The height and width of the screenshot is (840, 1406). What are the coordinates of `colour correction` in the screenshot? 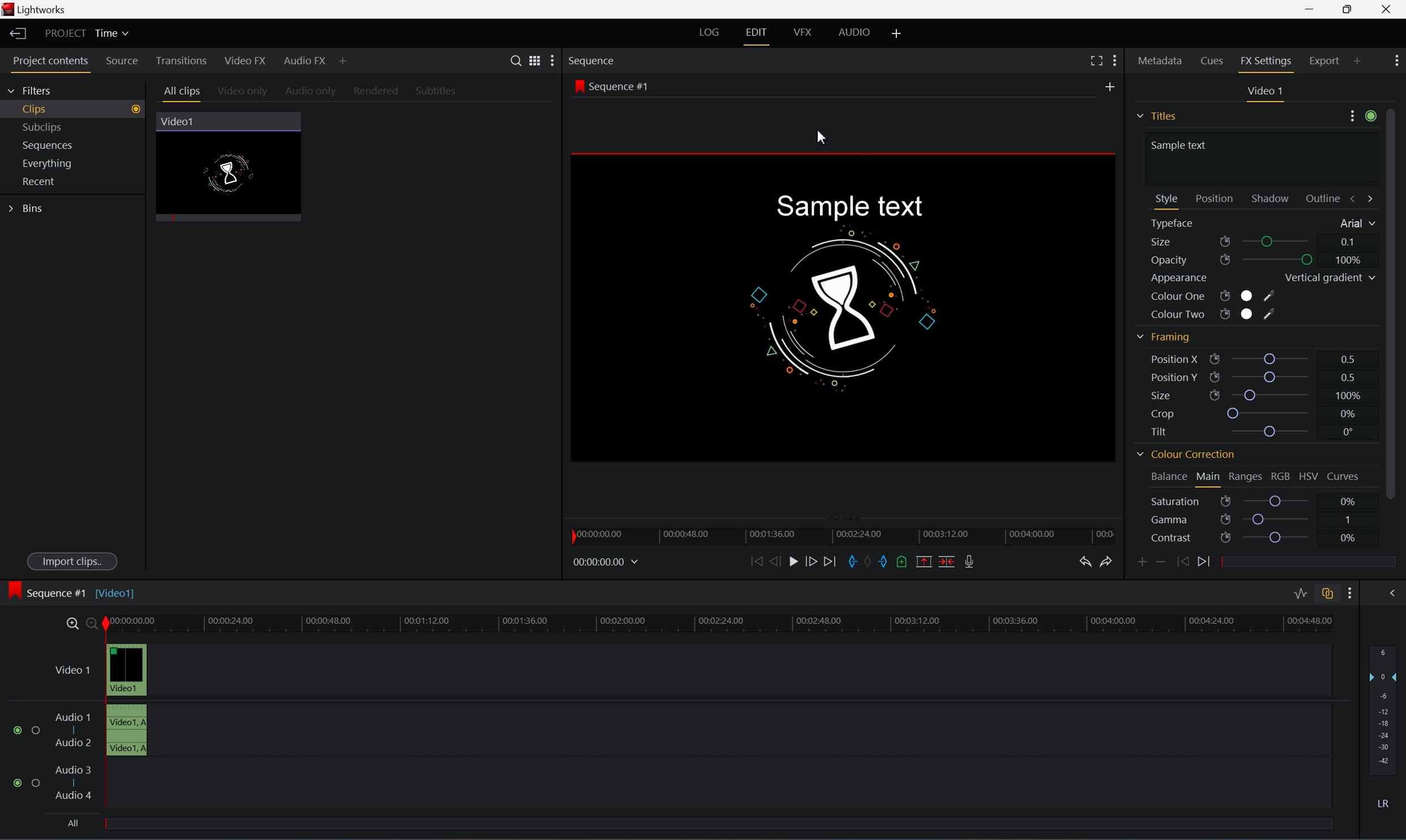 It's located at (1185, 456).